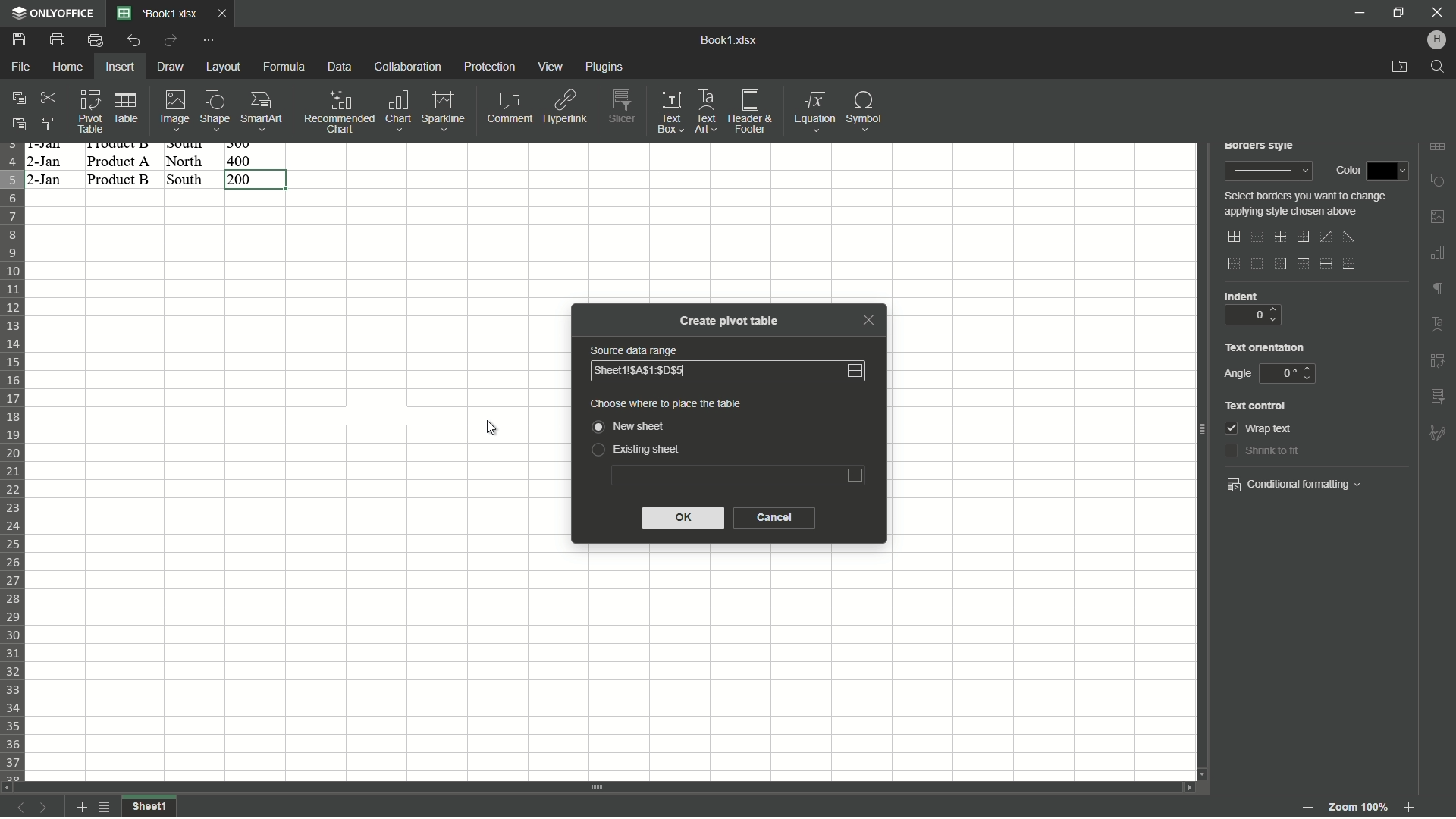 This screenshot has width=1456, height=819. Describe the element at coordinates (622, 106) in the screenshot. I see `Slicer` at that location.